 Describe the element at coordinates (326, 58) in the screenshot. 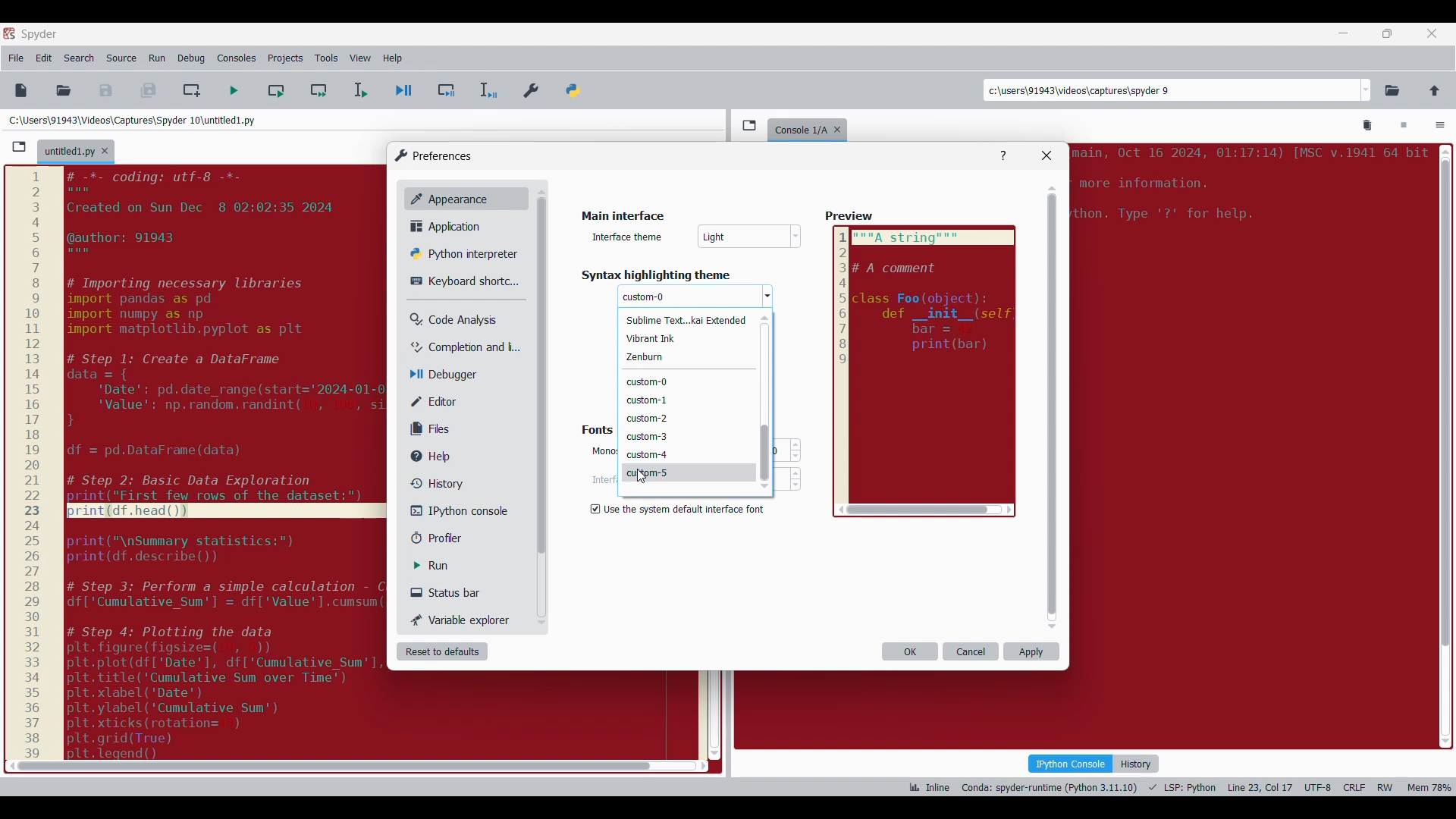

I see `Tools menu` at that location.